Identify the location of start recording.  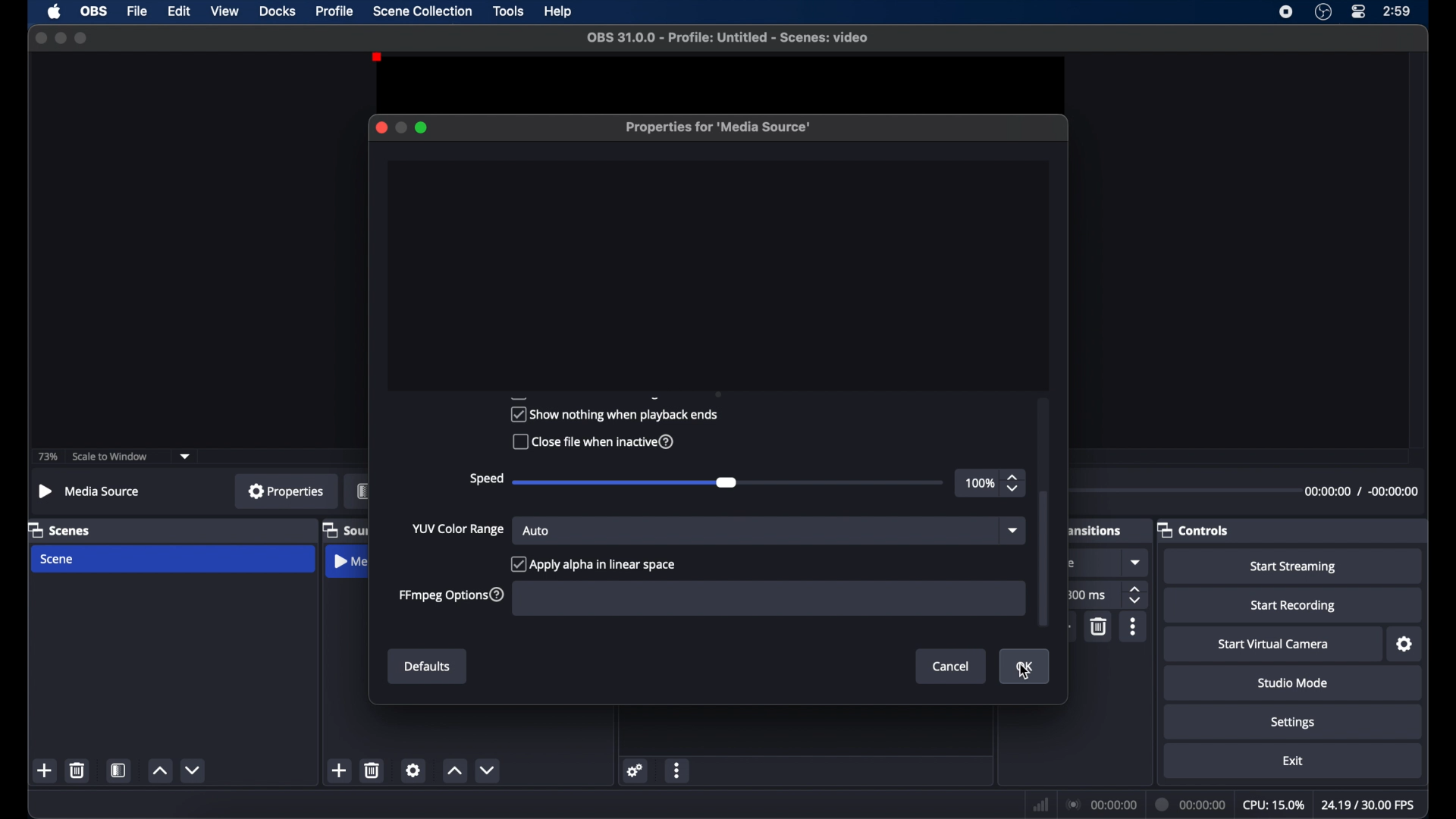
(1293, 606).